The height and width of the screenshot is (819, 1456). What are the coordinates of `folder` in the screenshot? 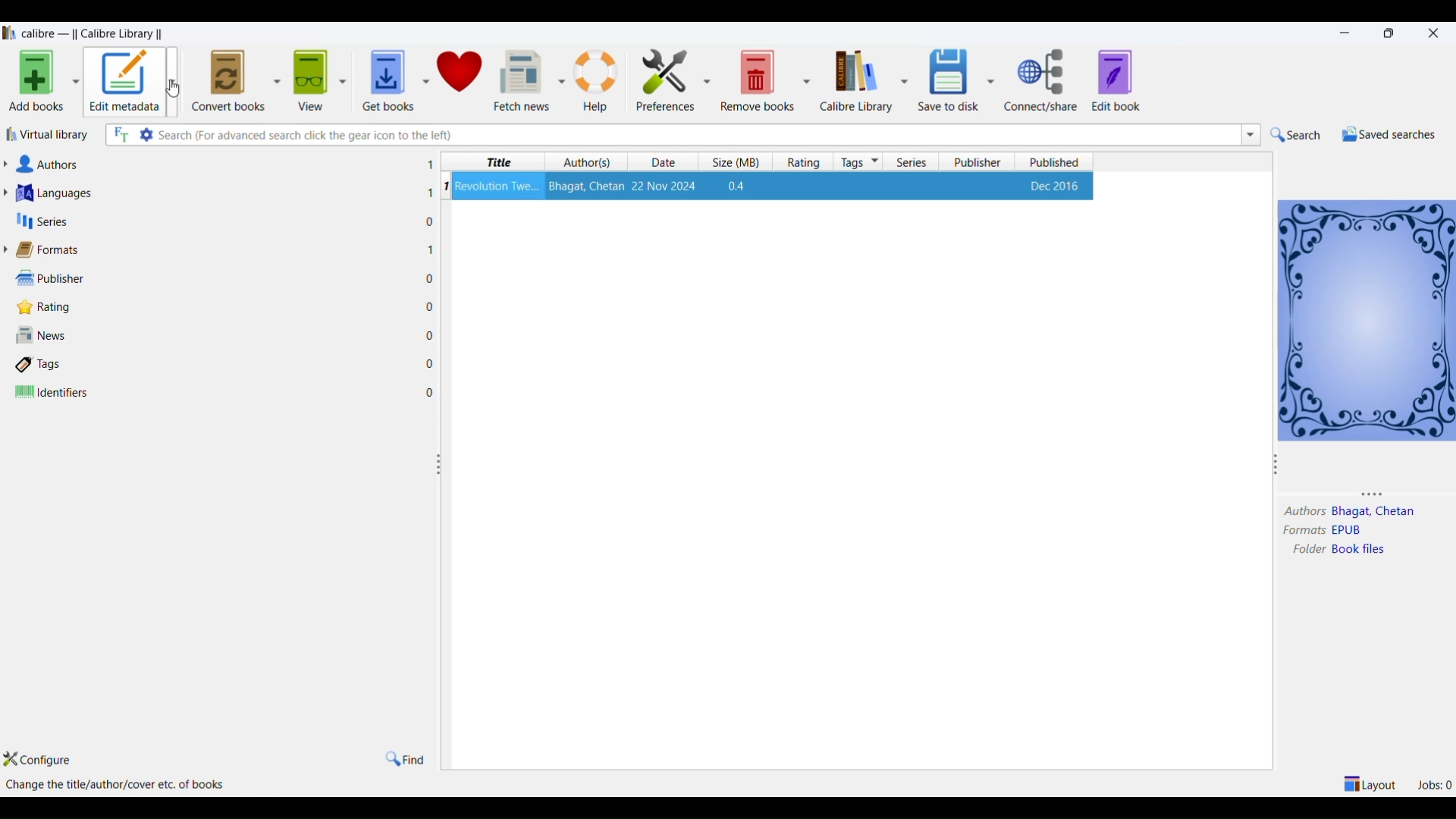 It's located at (1305, 551).